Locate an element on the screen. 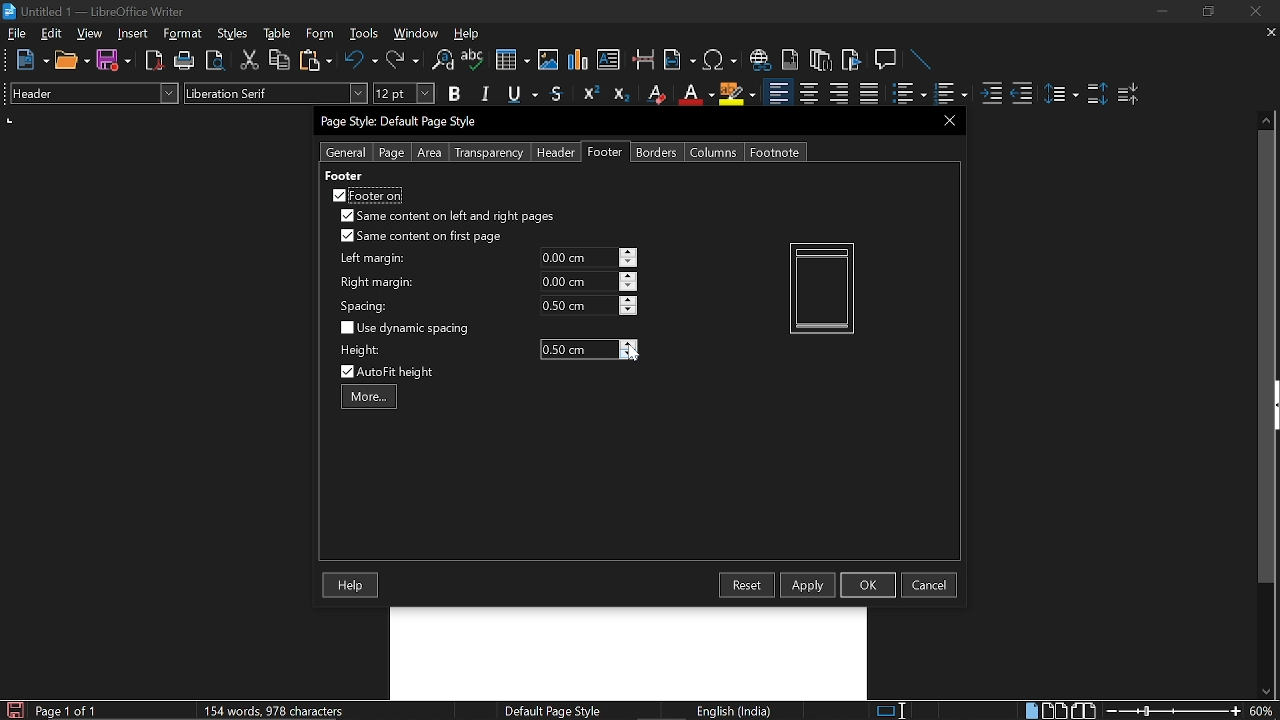 The height and width of the screenshot is (720, 1280). Area is located at coordinates (430, 153).